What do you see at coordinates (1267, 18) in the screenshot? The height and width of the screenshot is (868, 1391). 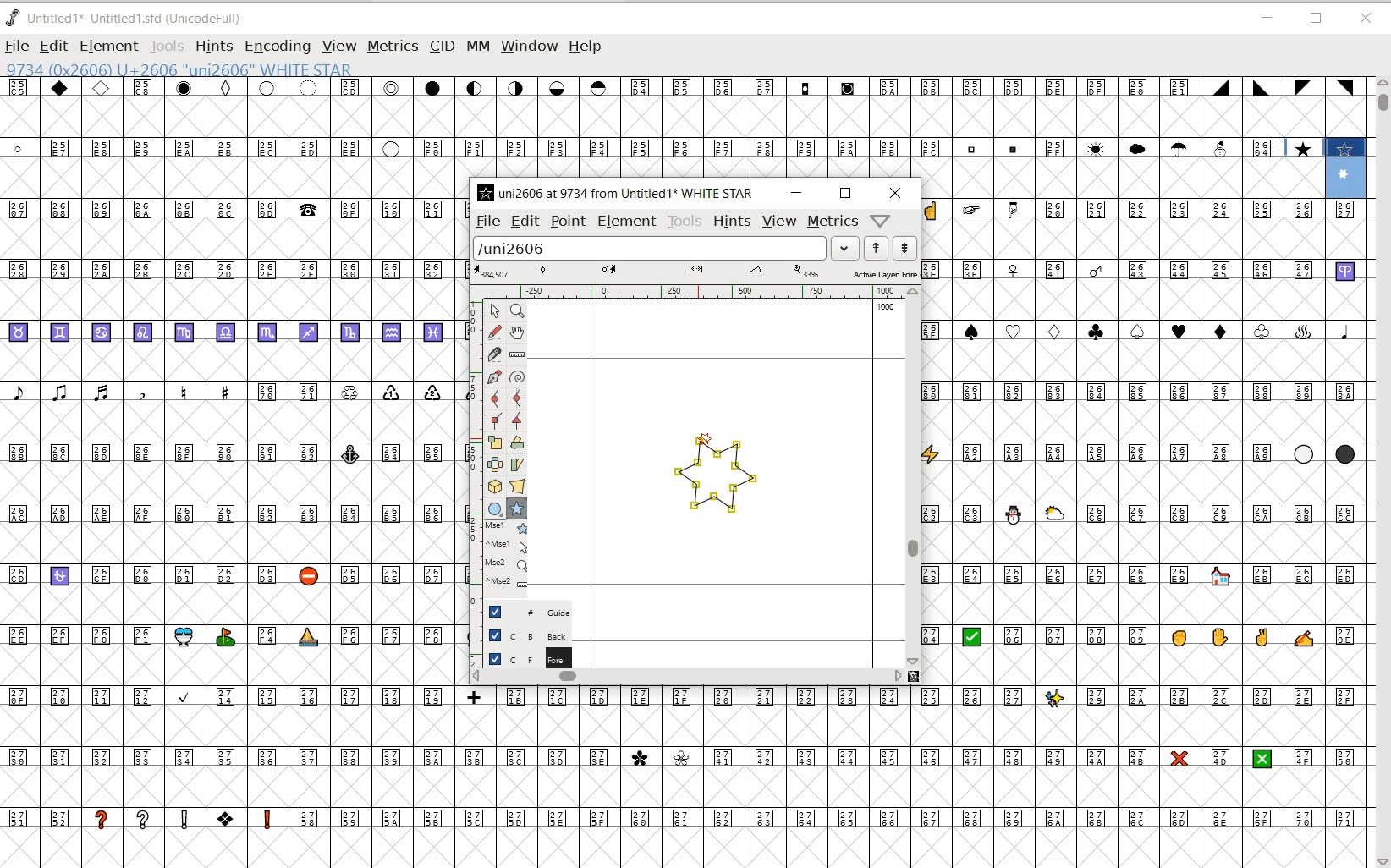 I see `MINIMIZE` at bounding box center [1267, 18].